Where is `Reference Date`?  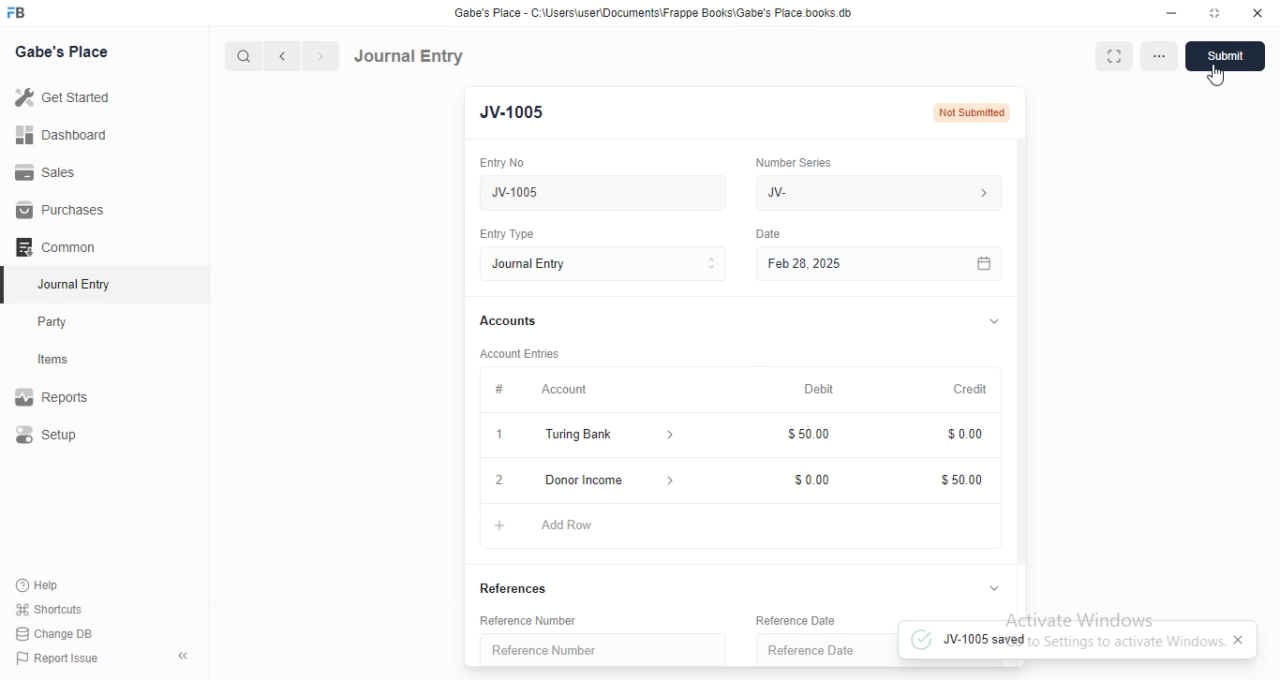 Reference Date is located at coordinates (807, 620).